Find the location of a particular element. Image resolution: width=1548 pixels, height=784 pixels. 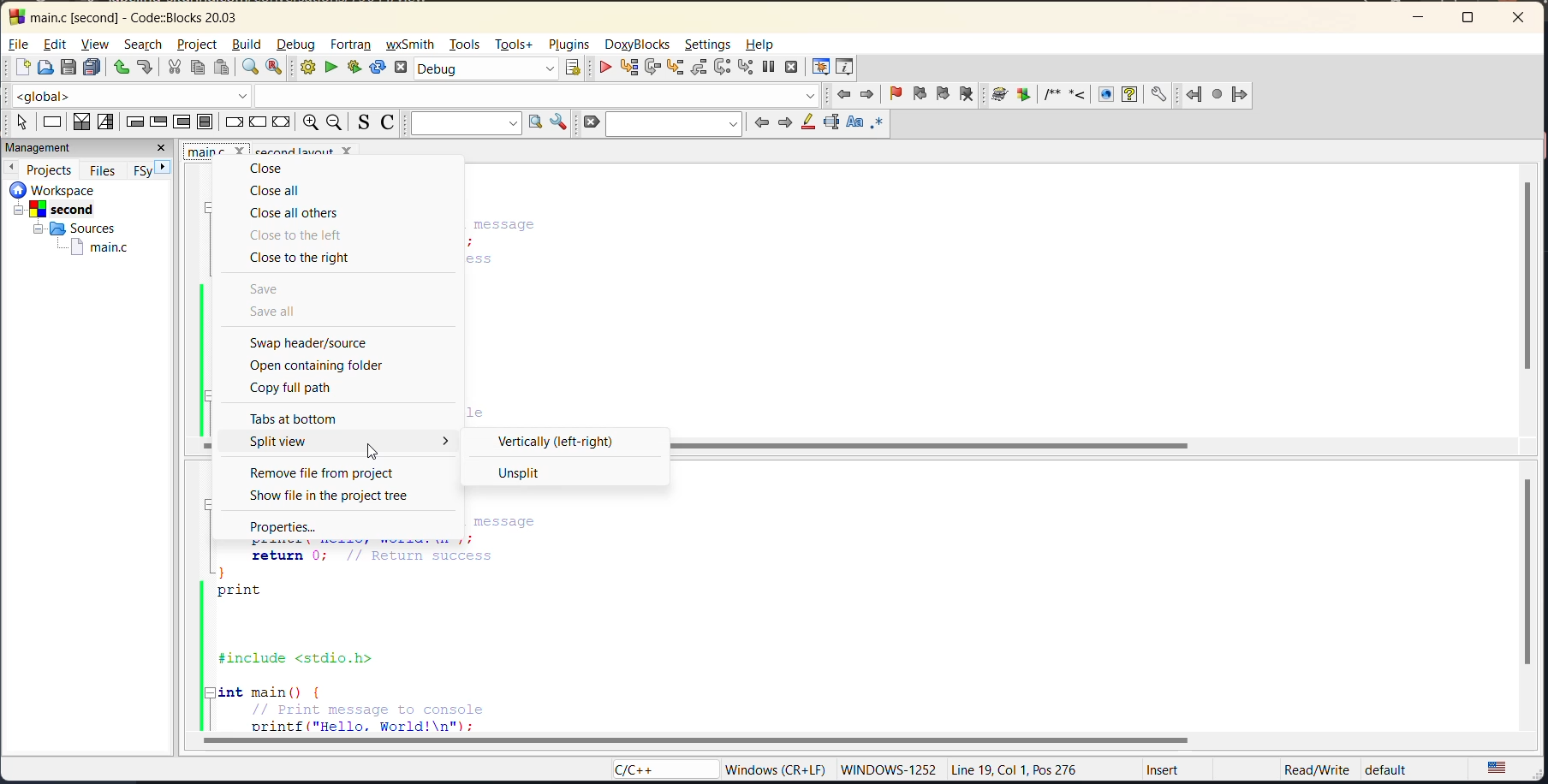

debugging windows is located at coordinates (824, 66).